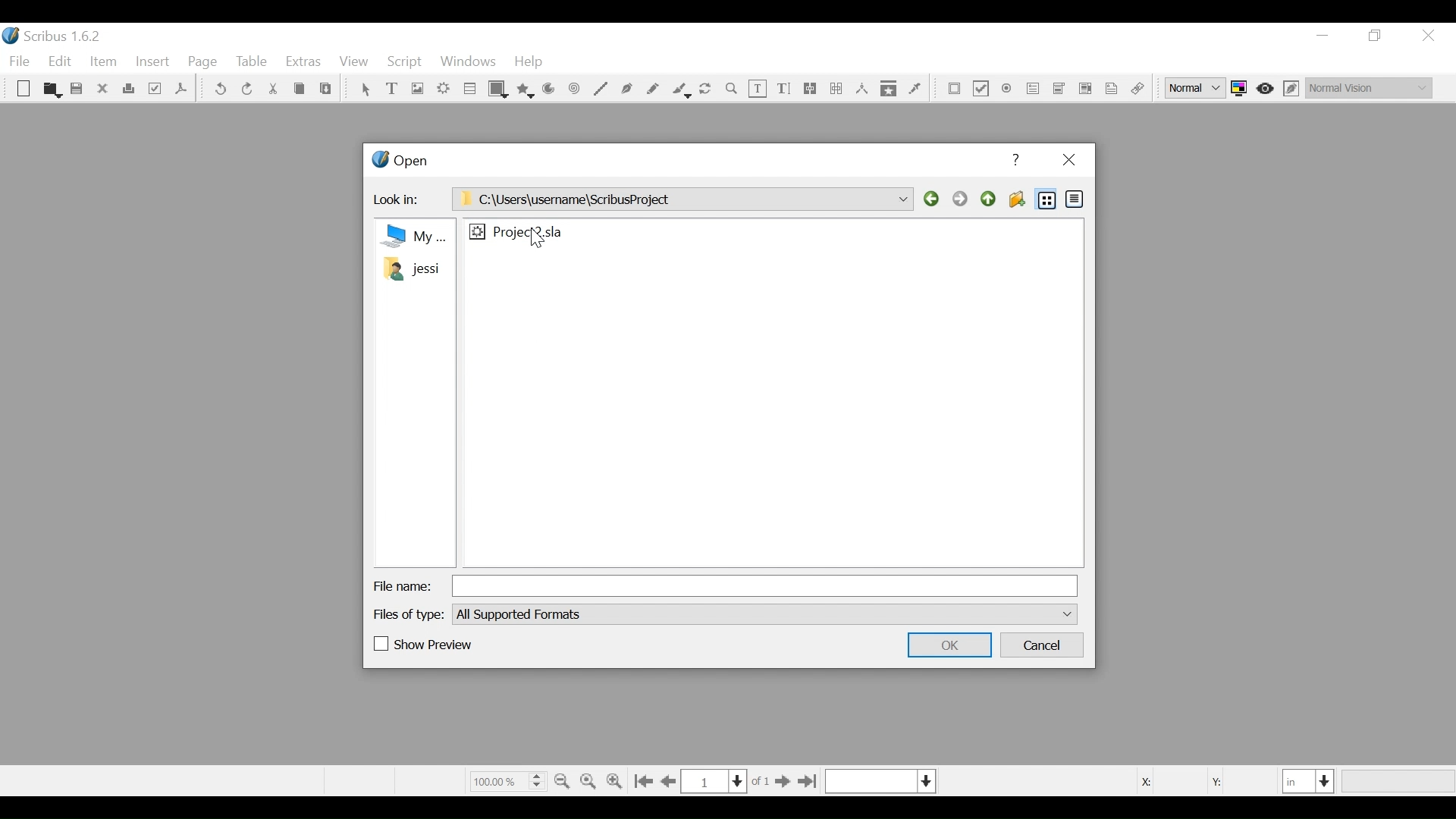 This screenshot has width=1456, height=819. Describe the element at coordinates (56, 38) in the screenshot. I see `Scribus Desktop Icon` at that location.